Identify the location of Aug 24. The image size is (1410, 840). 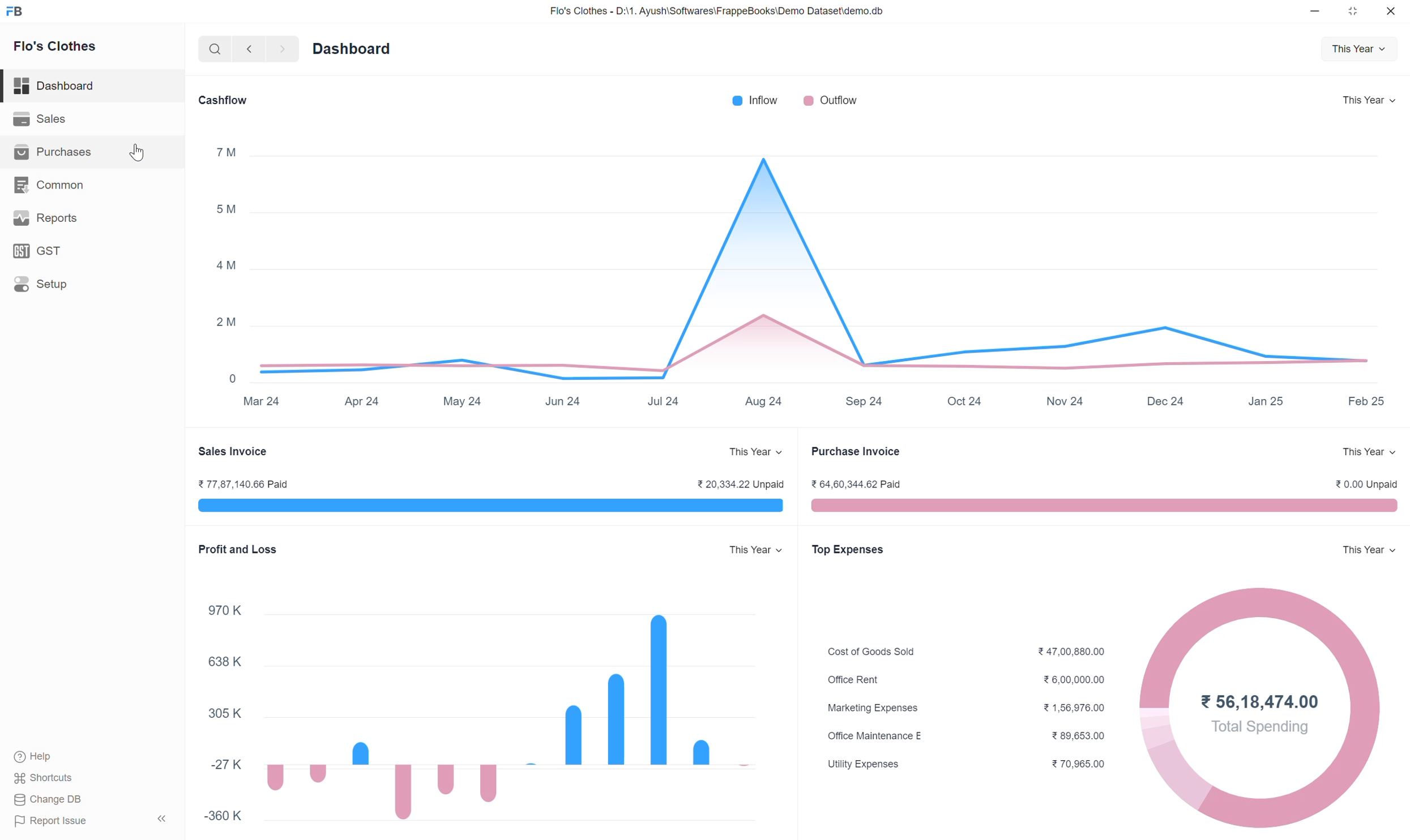
(763, 401).